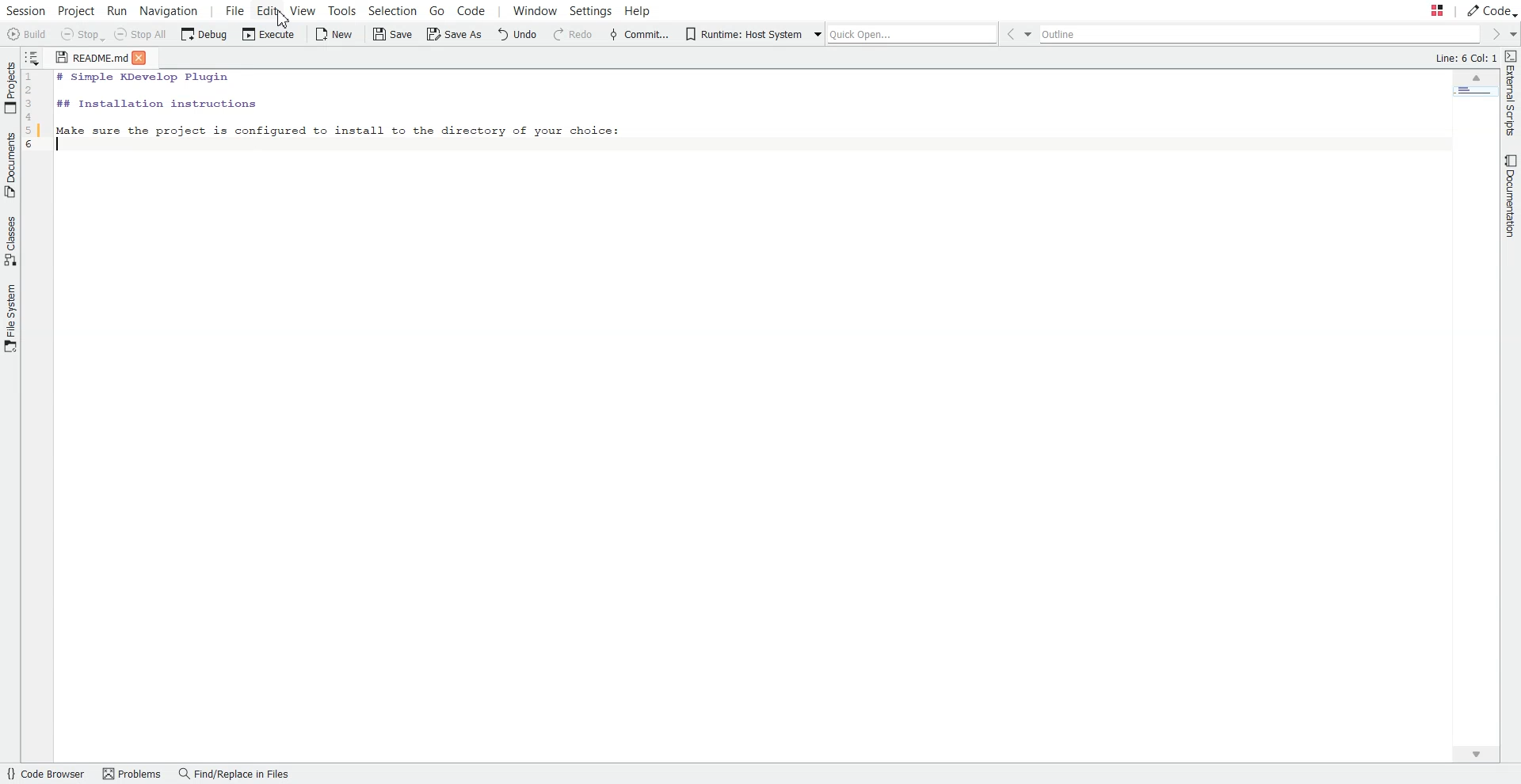 This screenshot has width=1521, height=784. What do you see at coordinates (266, 35) in the screenshot?
I see `Execute` at bounding box center [266, 35].